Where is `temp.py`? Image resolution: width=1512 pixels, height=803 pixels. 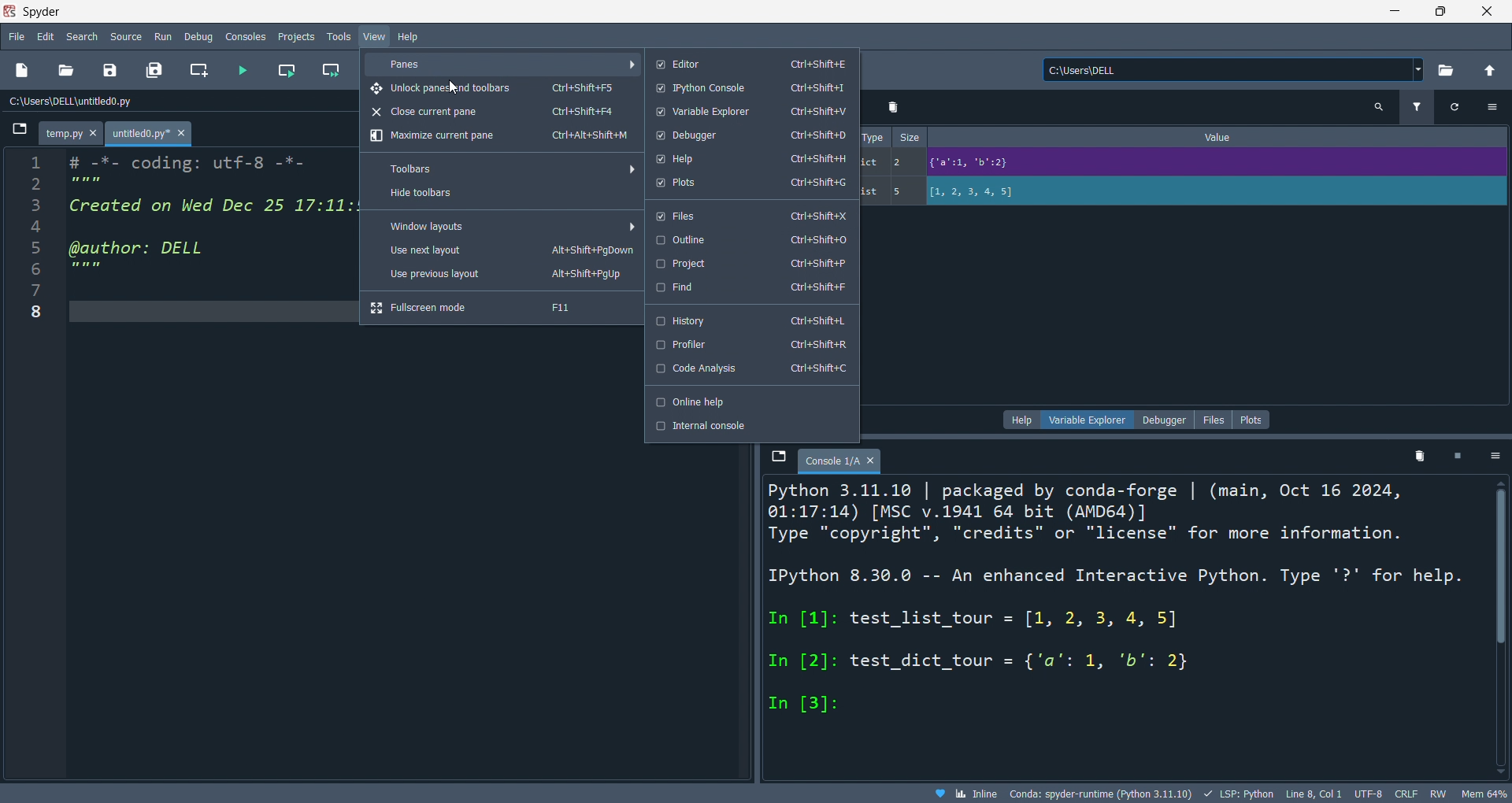
temp.py is located at coordinates (73, 135).